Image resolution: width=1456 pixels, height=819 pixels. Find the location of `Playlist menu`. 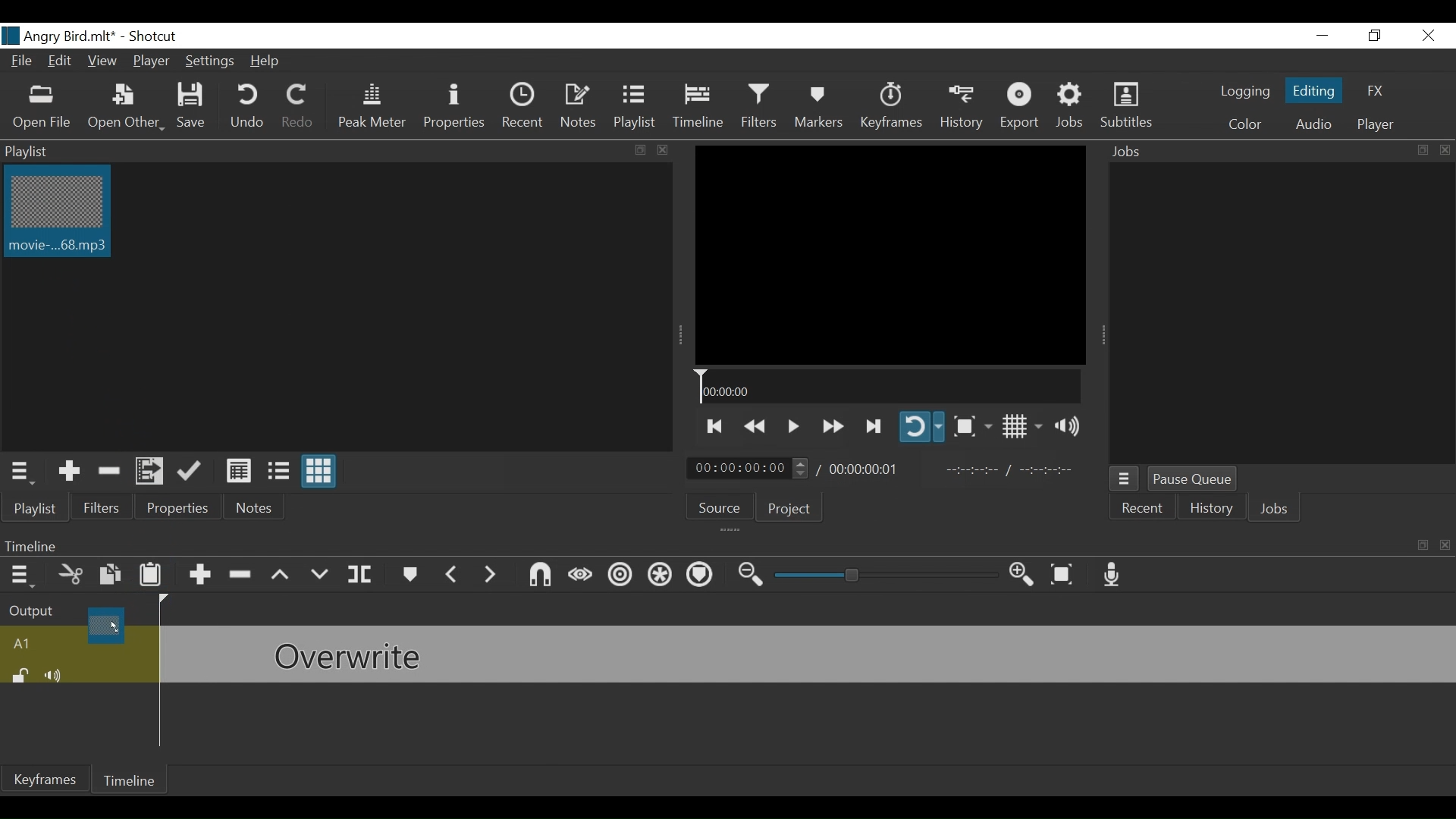

Playlist menu is located at coordinates (35, 507).